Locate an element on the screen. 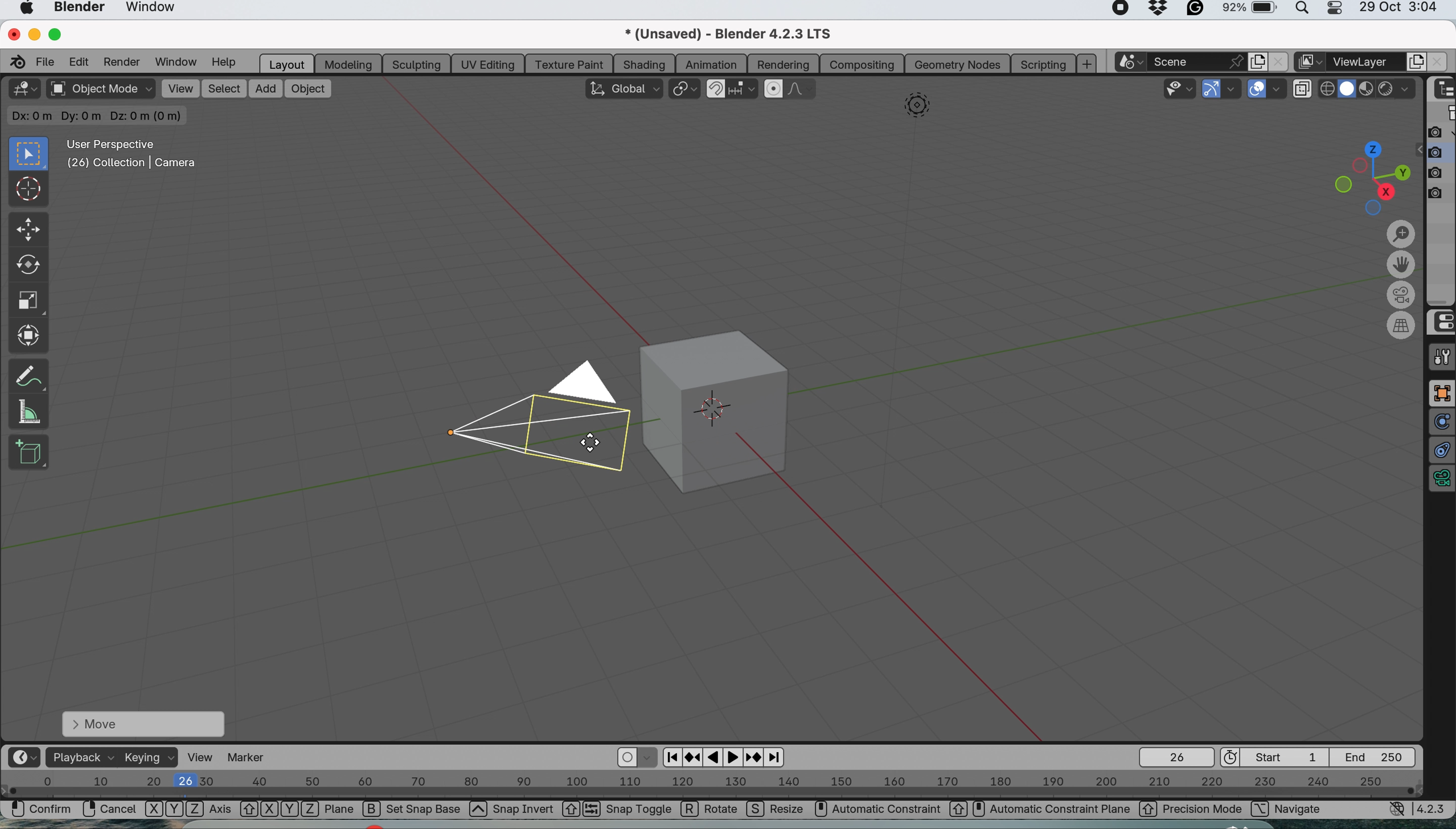  snap toggle is located at coordinates (629, 810).